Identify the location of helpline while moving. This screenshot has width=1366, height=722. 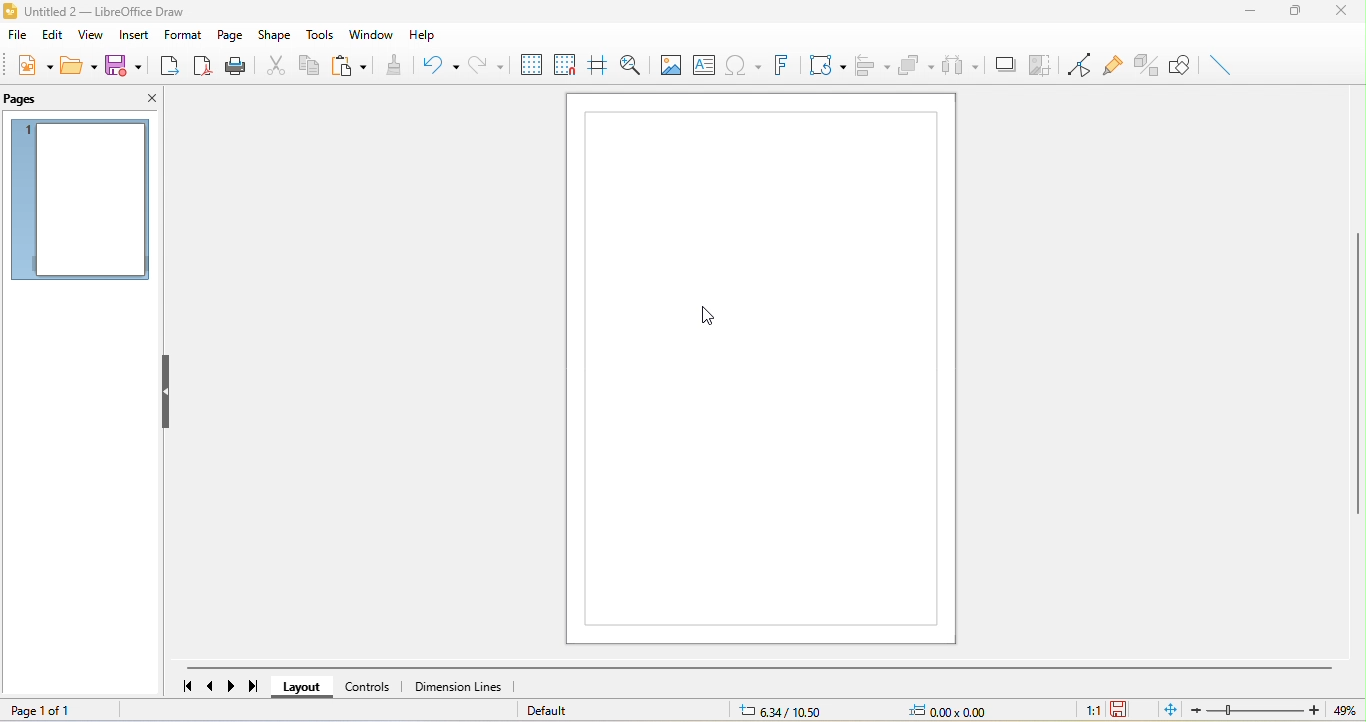
(595, 62).